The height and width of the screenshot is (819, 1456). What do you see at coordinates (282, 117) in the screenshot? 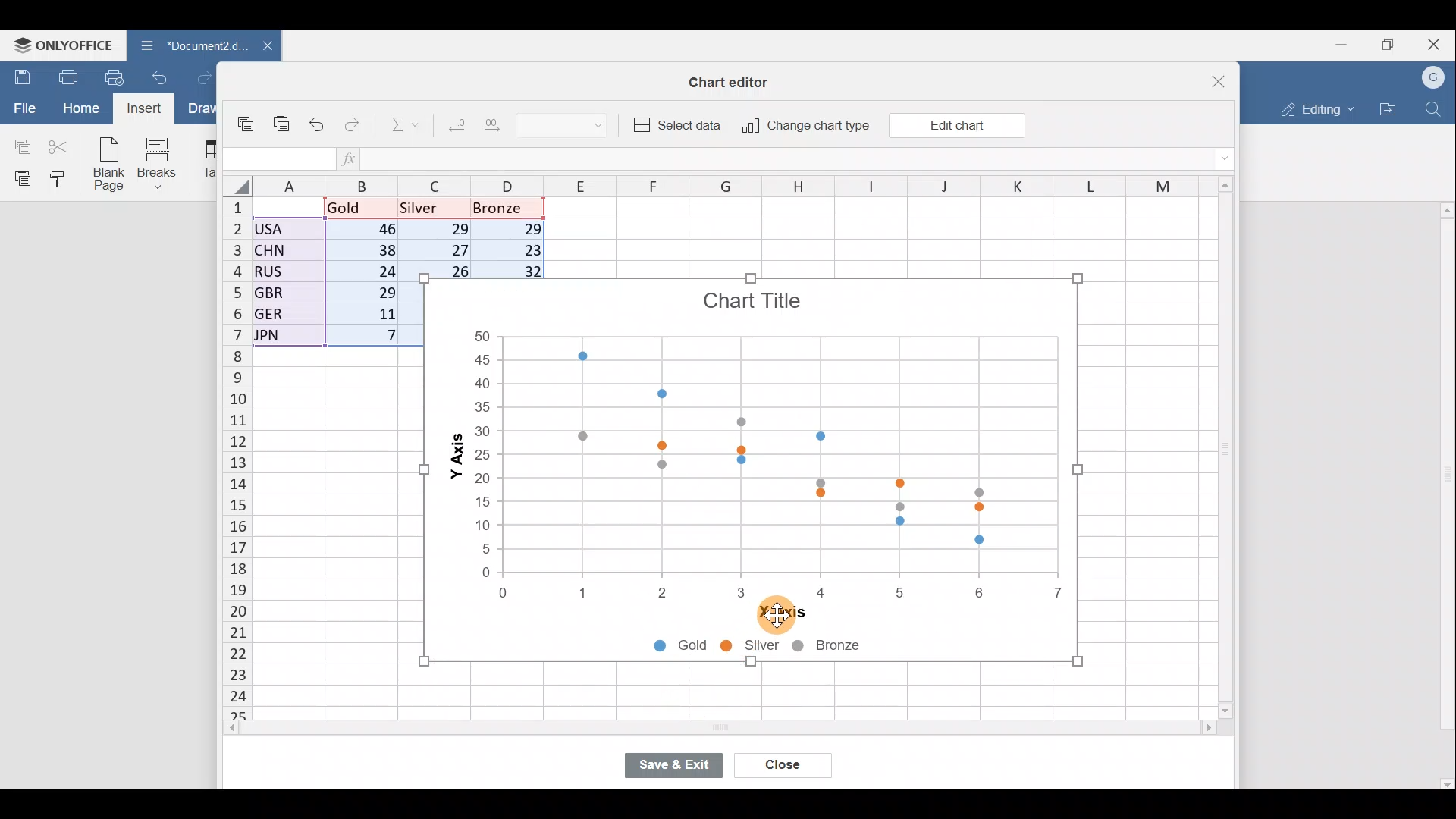
I see `Paste` at bounding box center [282, 117].